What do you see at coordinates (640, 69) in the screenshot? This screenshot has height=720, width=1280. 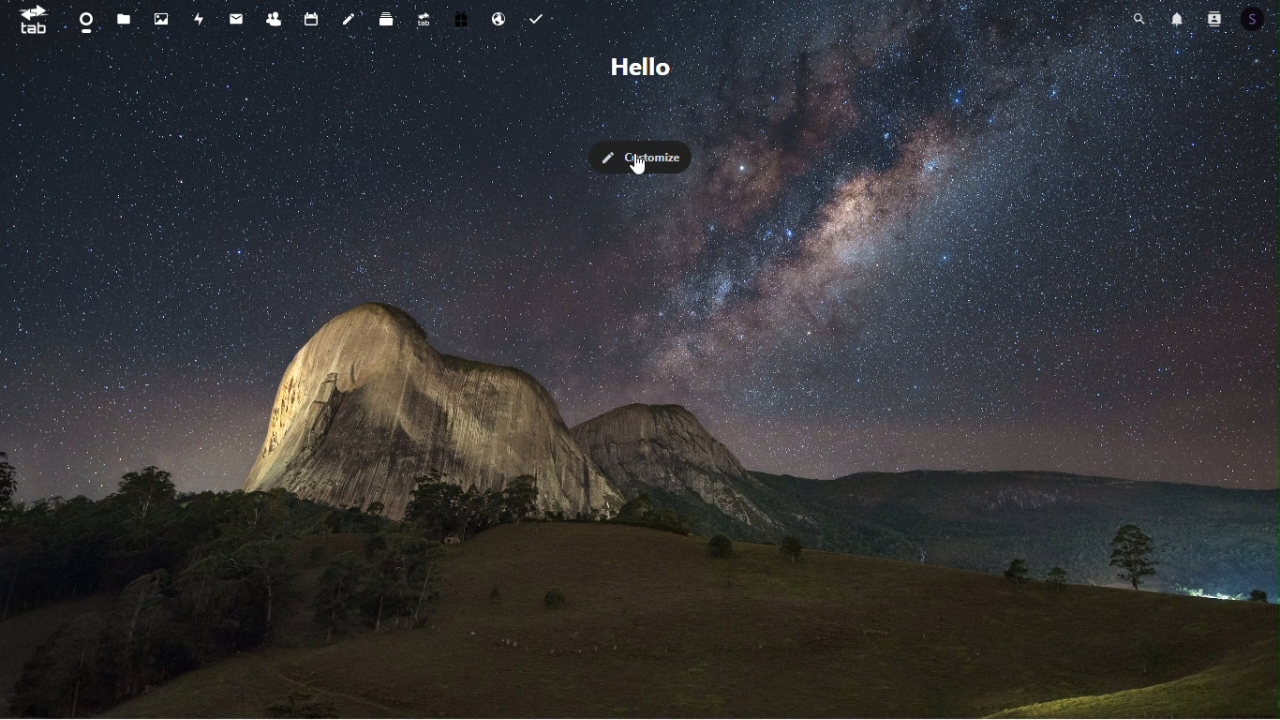 I see `Greetings` at bounding box center [640, 69].